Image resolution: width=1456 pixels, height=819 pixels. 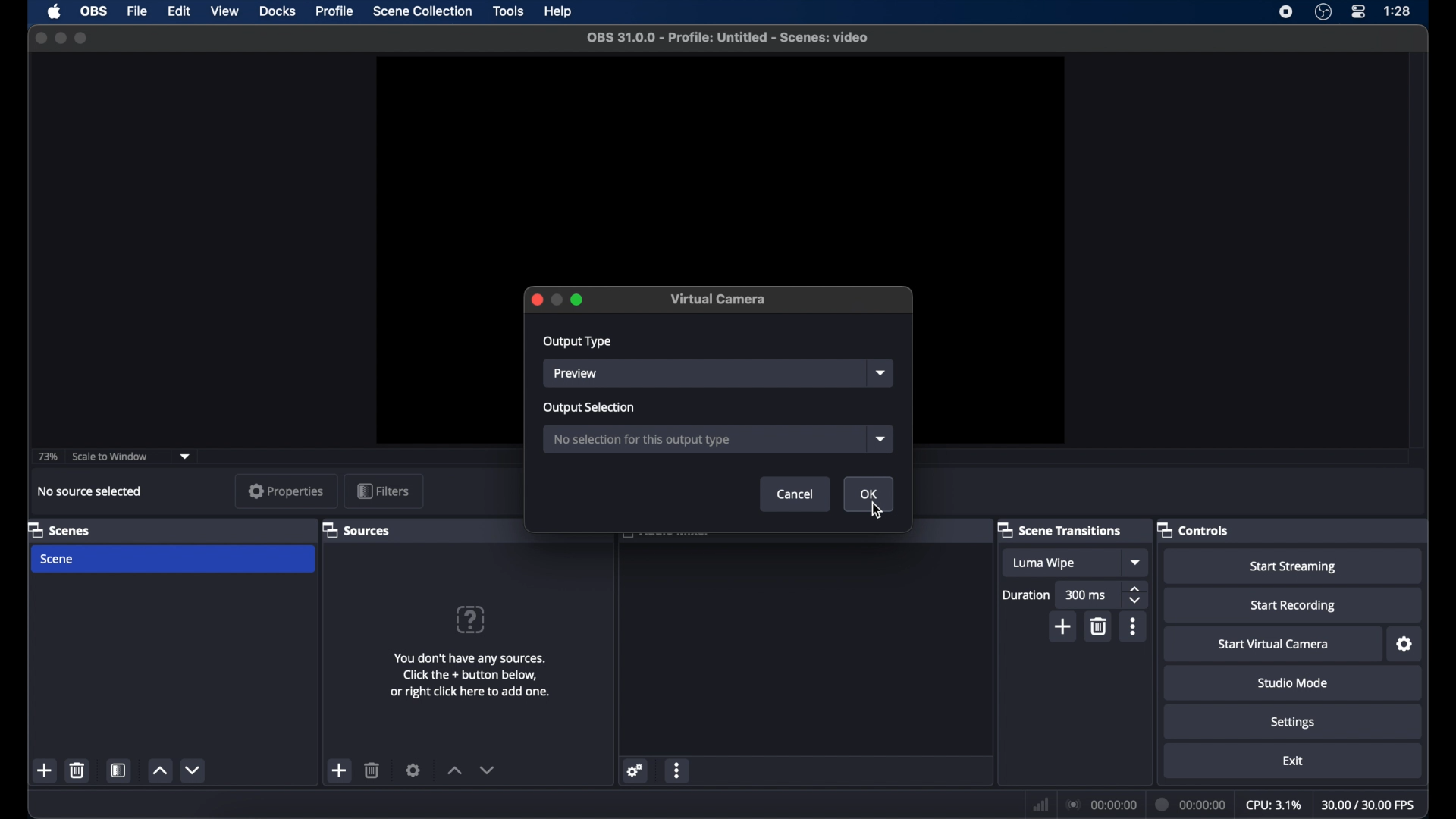 I want to click on no selection for this output type, so click(x=702, y=439).